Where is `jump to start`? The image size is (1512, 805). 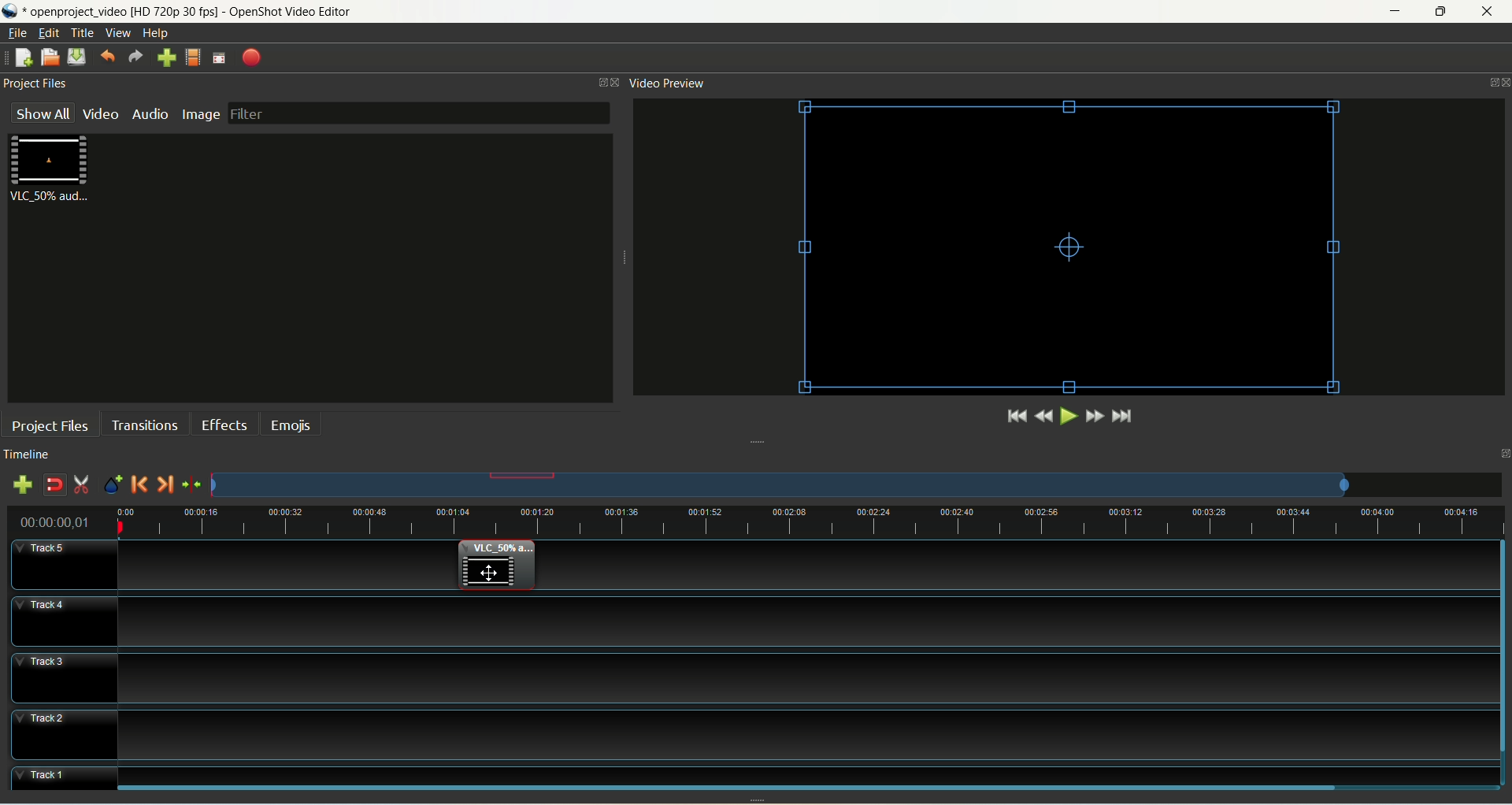 jump to start is located at coordinates (1017, 417).